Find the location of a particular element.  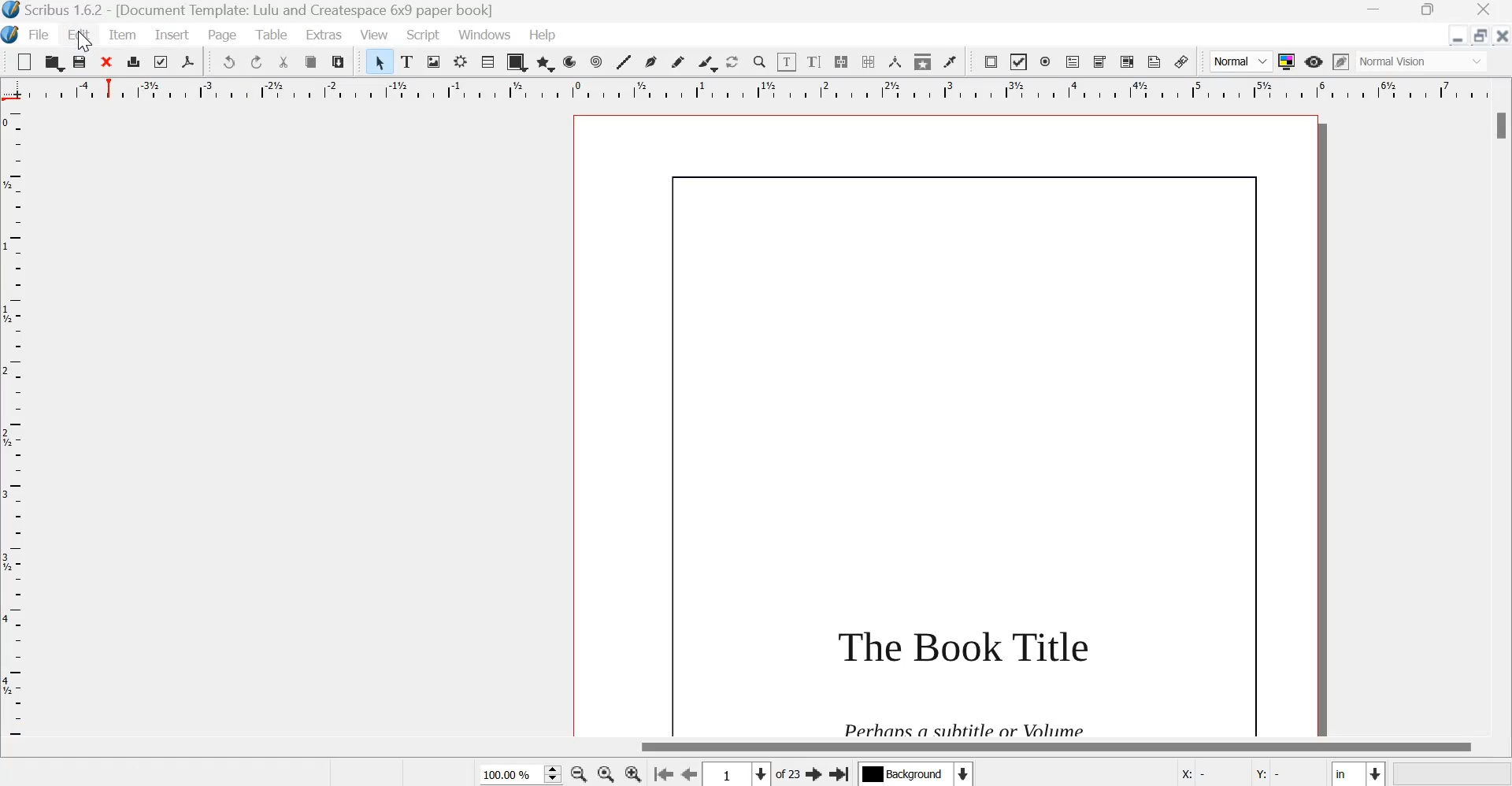

View is located at coordinates (373, 34).